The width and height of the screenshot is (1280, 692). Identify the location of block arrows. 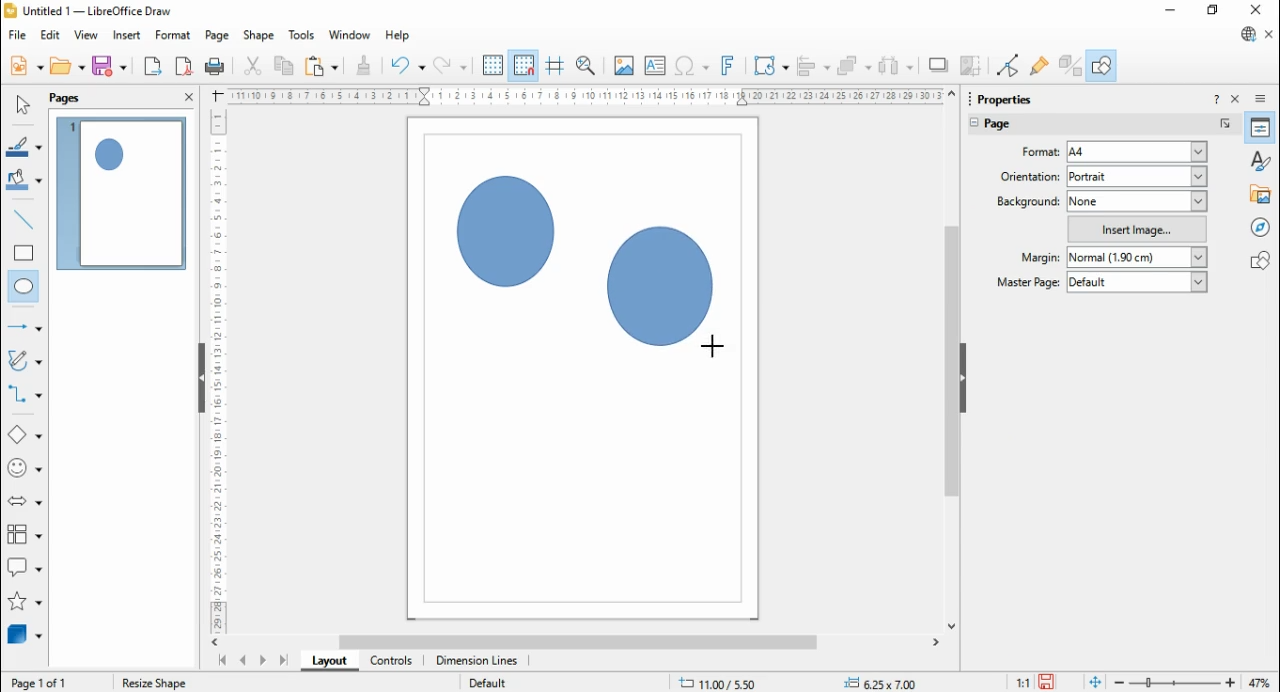
(27, 503).